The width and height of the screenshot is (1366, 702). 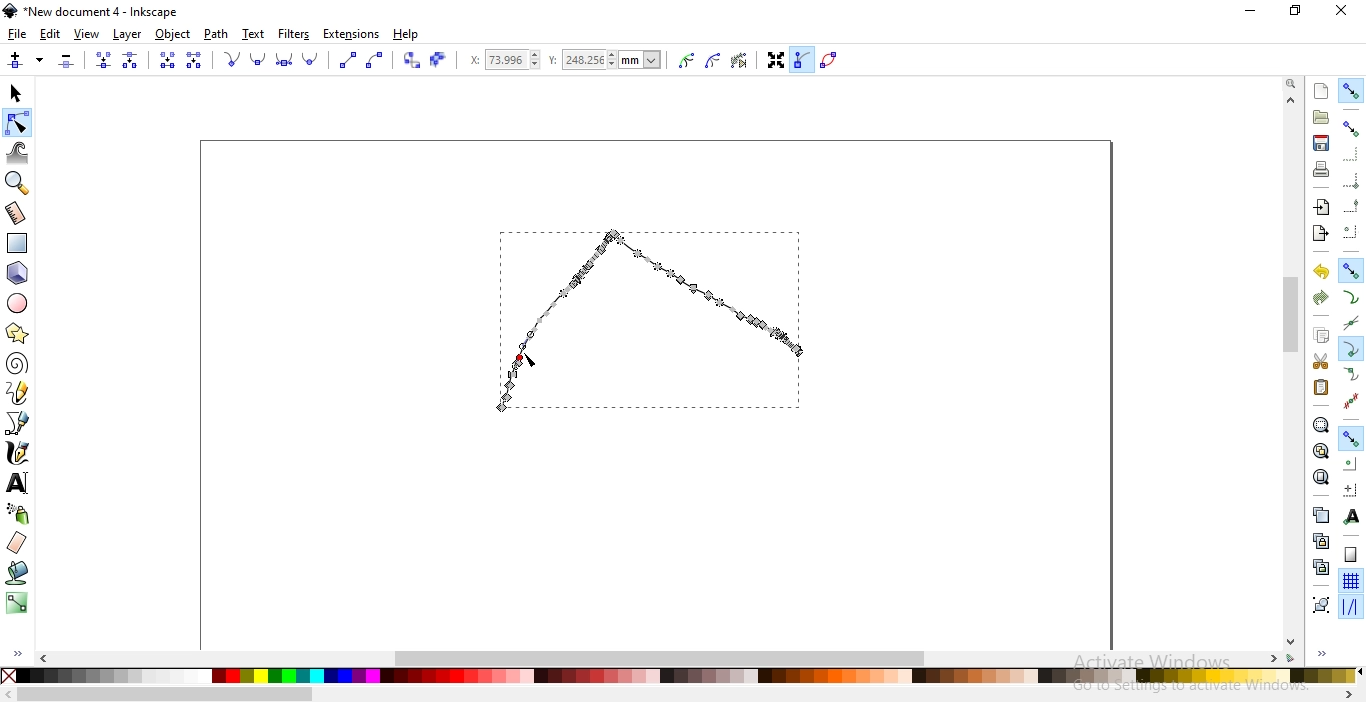 I want to click on zoom to fit drawing, so click(x=1320, y=449).